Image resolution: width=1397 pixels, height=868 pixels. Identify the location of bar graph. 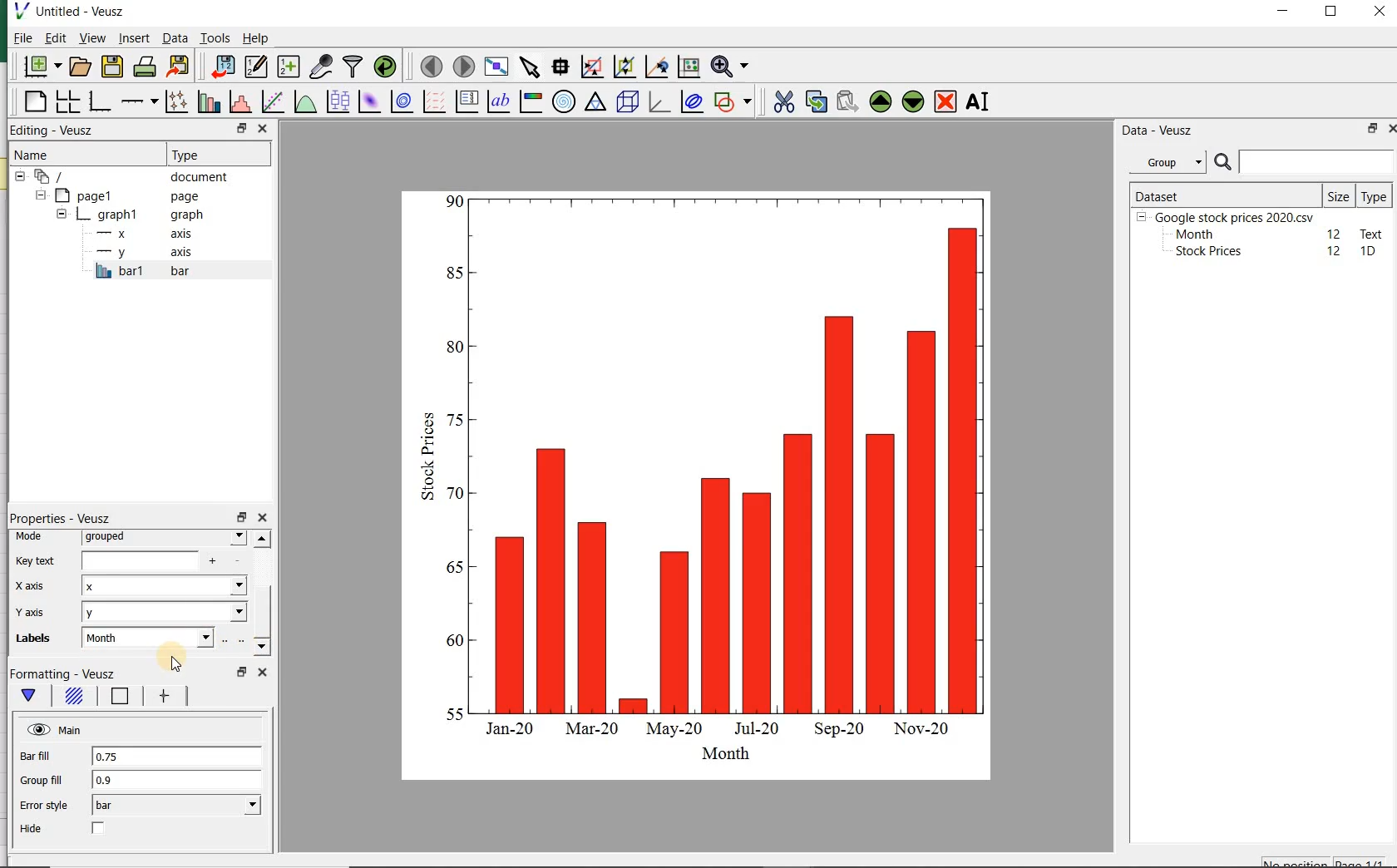
(708, 481).